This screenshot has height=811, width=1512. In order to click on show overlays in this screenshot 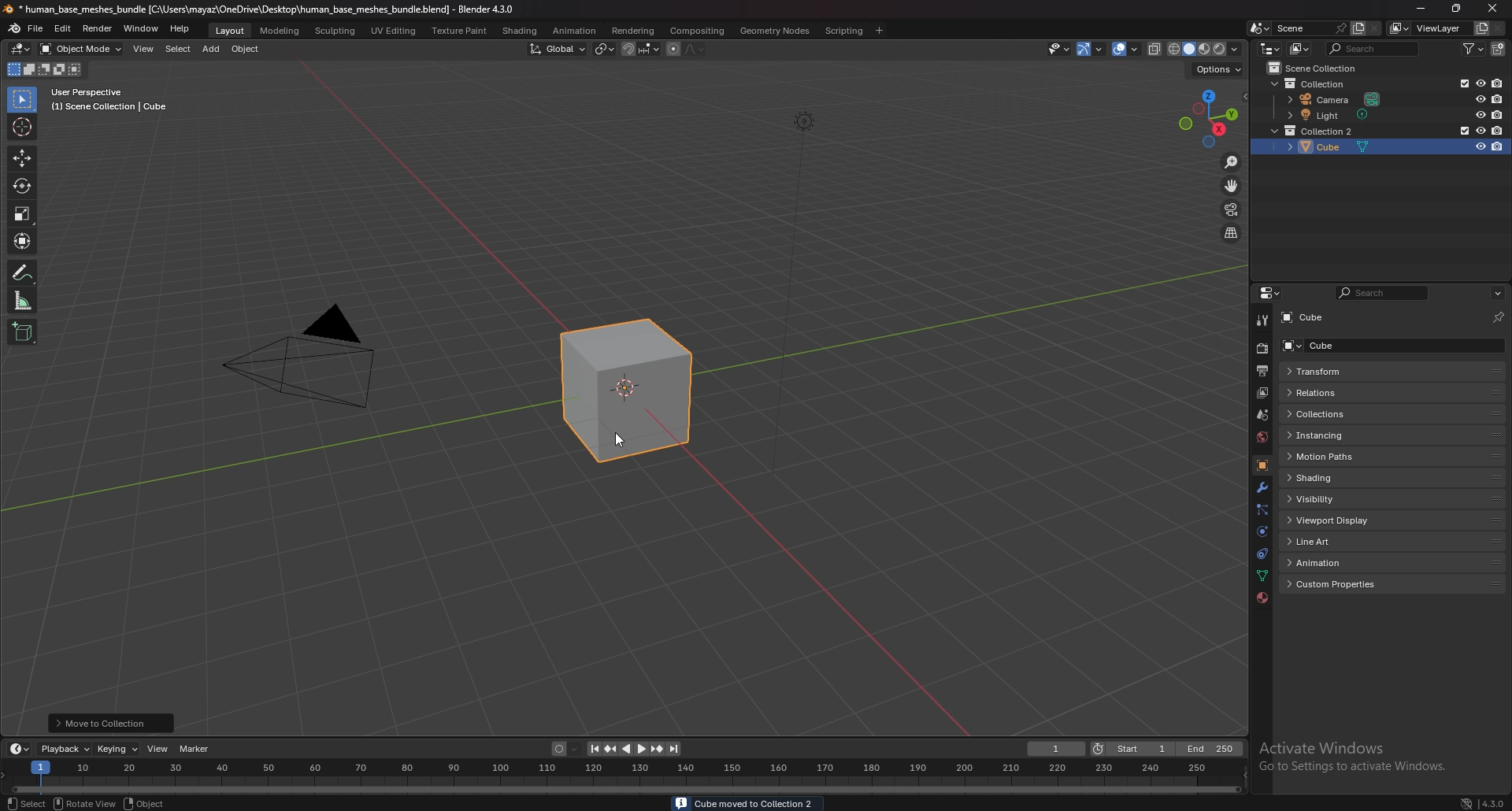, I will do `click(1127, 48)`.